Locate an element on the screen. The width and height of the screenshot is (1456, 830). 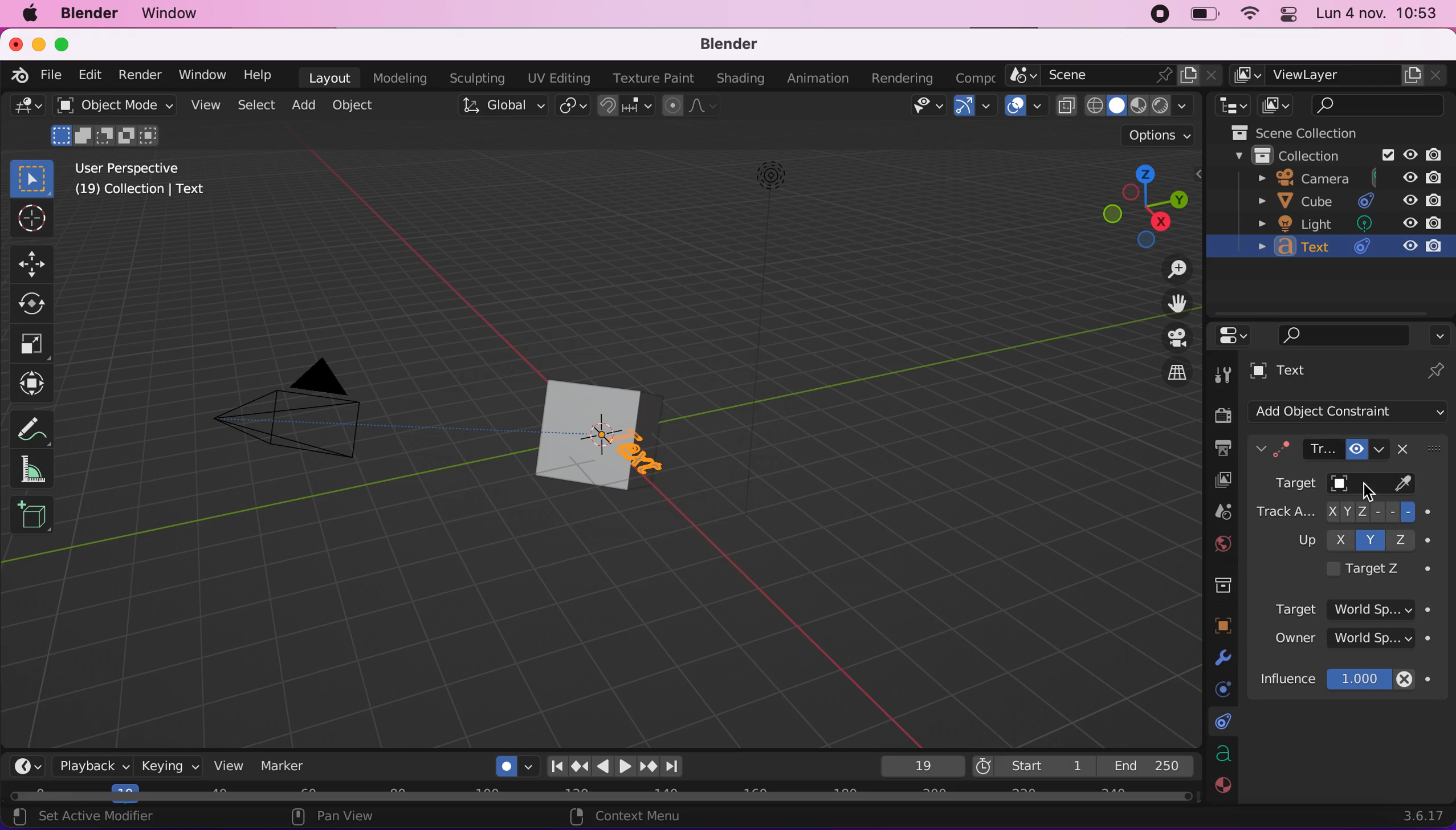
physics is located at coordinates (1220, 688).